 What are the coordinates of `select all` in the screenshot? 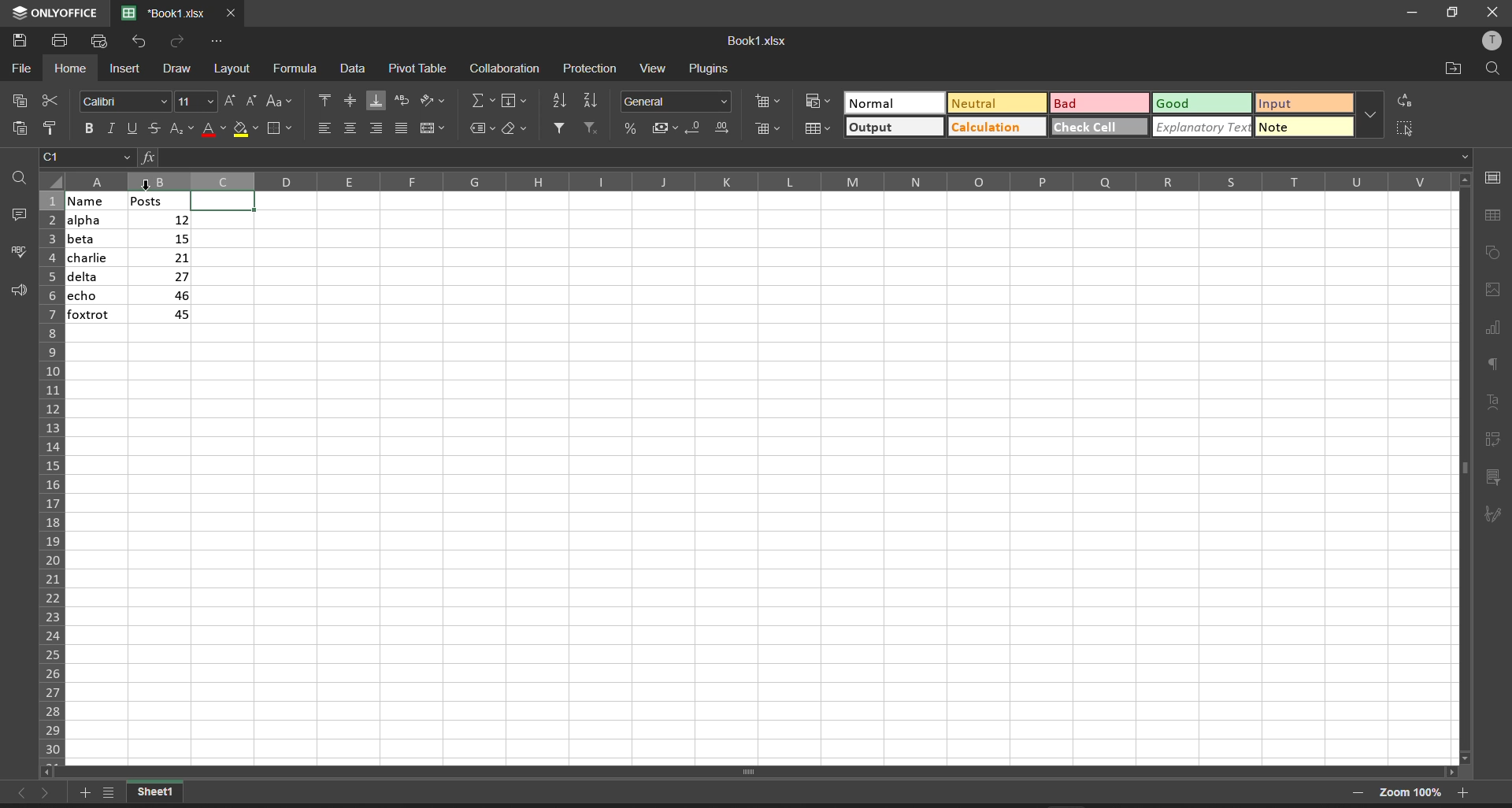 It's located at (1407, 127).